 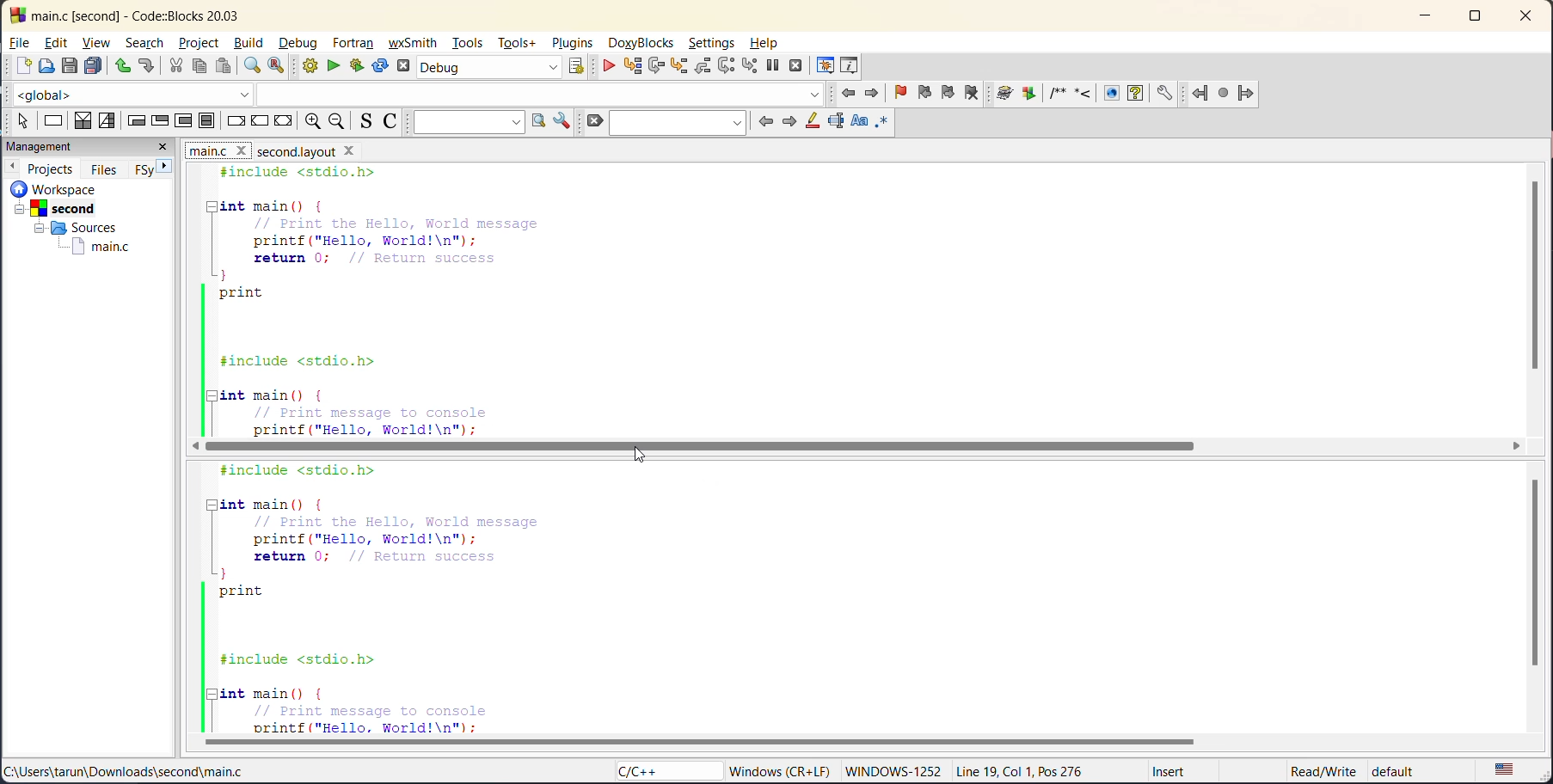 I want to click on find, so click(x=253, y=65).